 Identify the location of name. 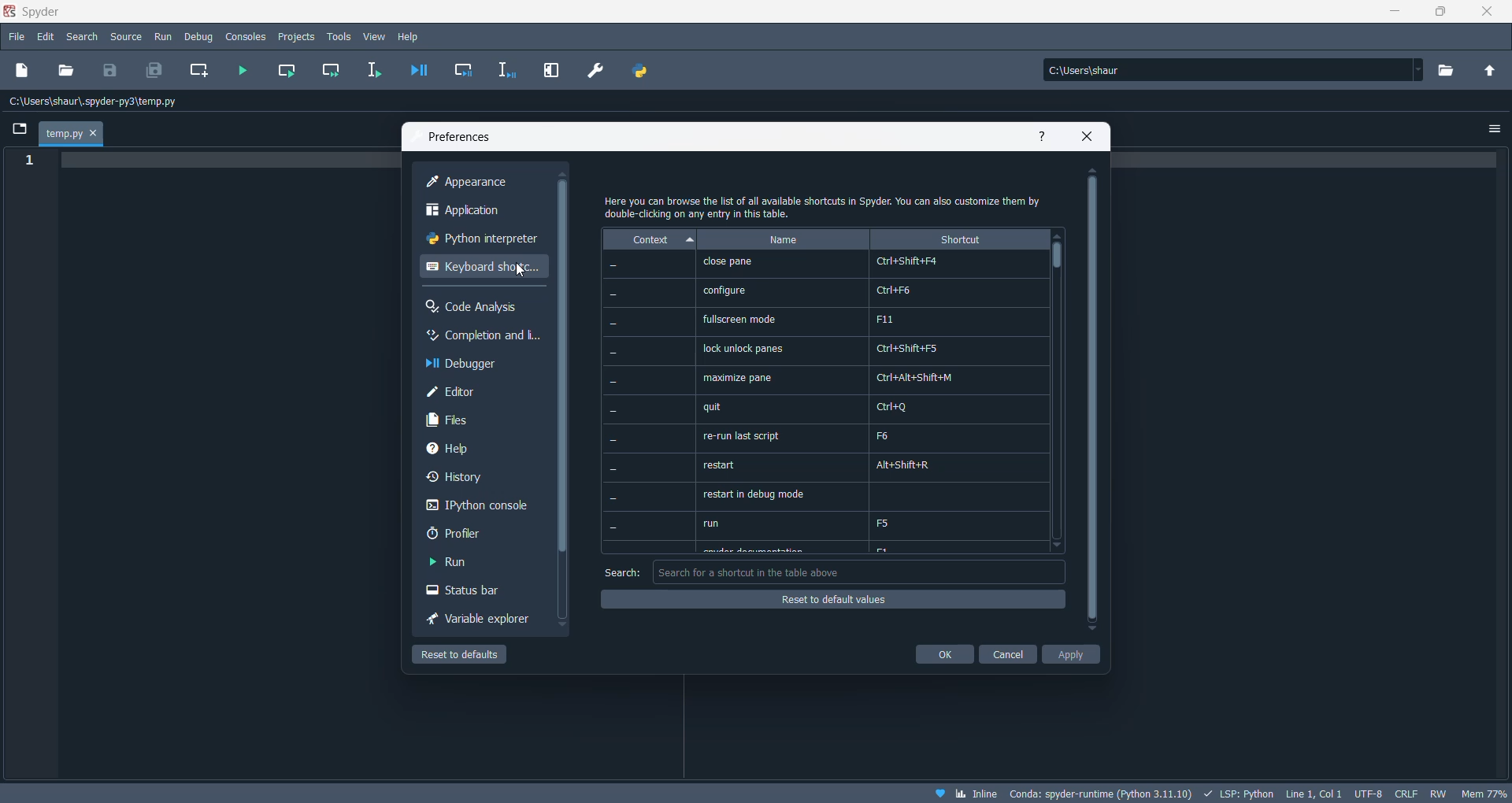
(783, 239).